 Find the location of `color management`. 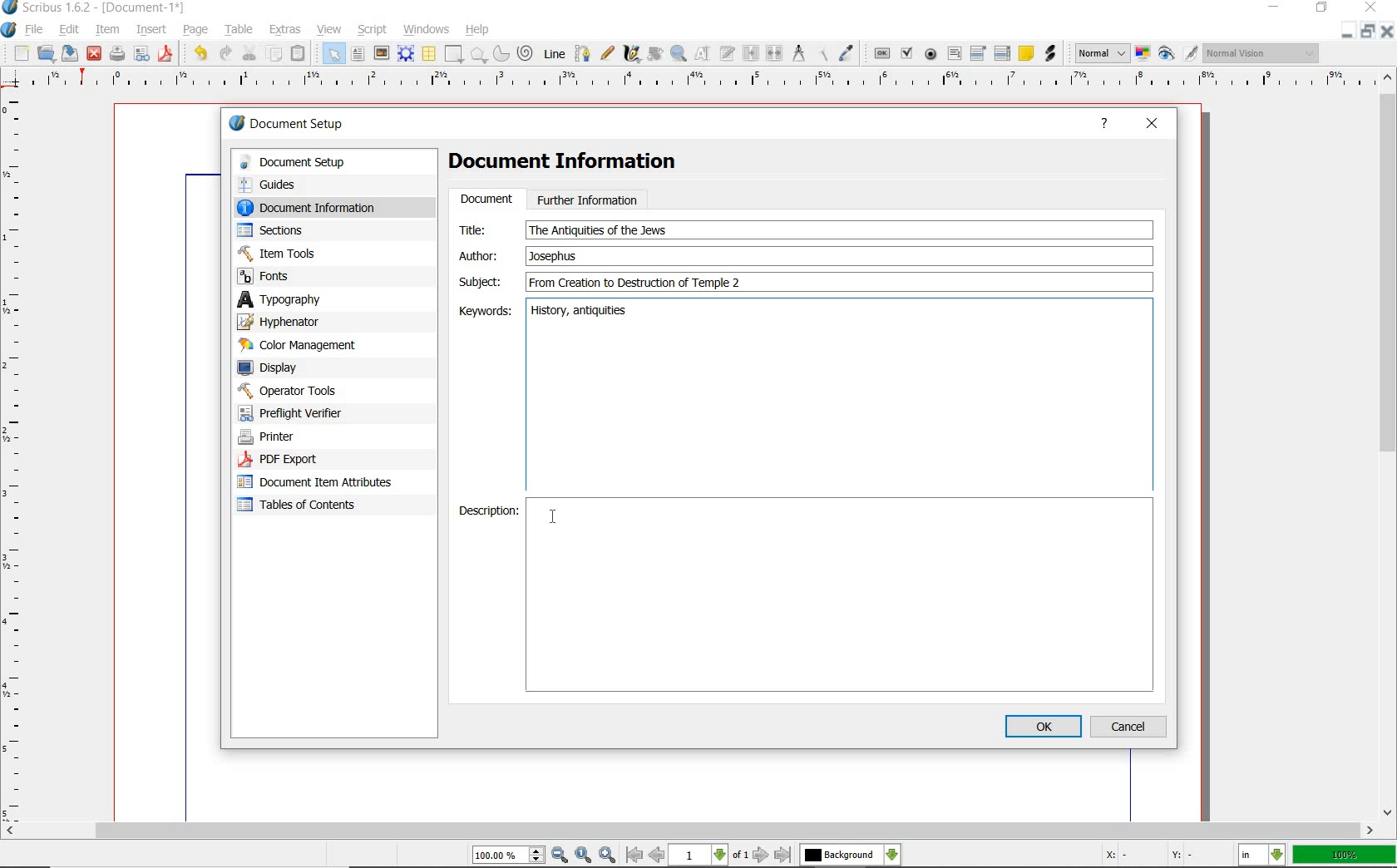

color management is located at coordinates (301, 345).